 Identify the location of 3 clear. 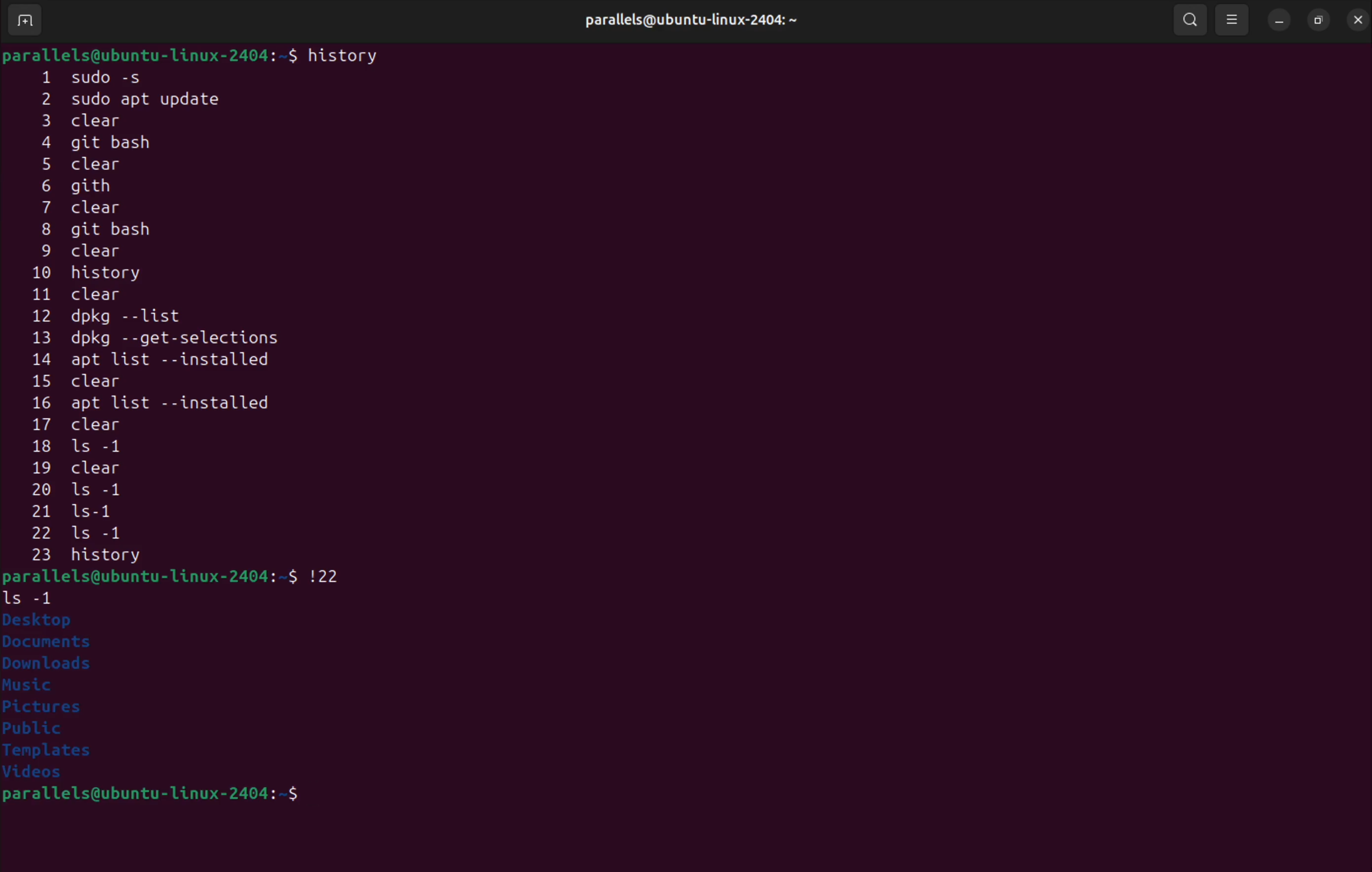
(109, 120).